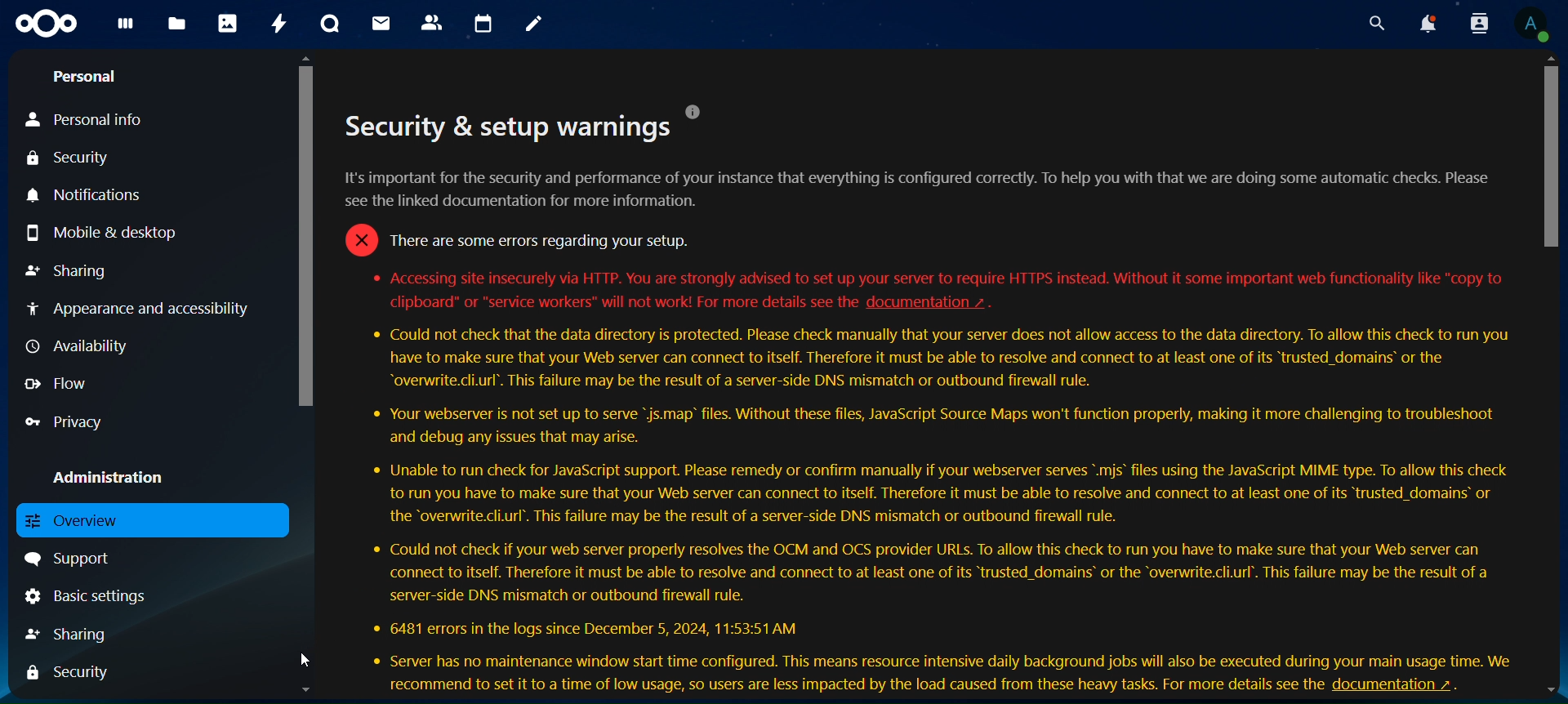 The height and width of the screenshot is (704, 1568). What do you see at coordinates (1530, 24) in the screenshot?
I see `view profile` at bounding box center [1530, 24].